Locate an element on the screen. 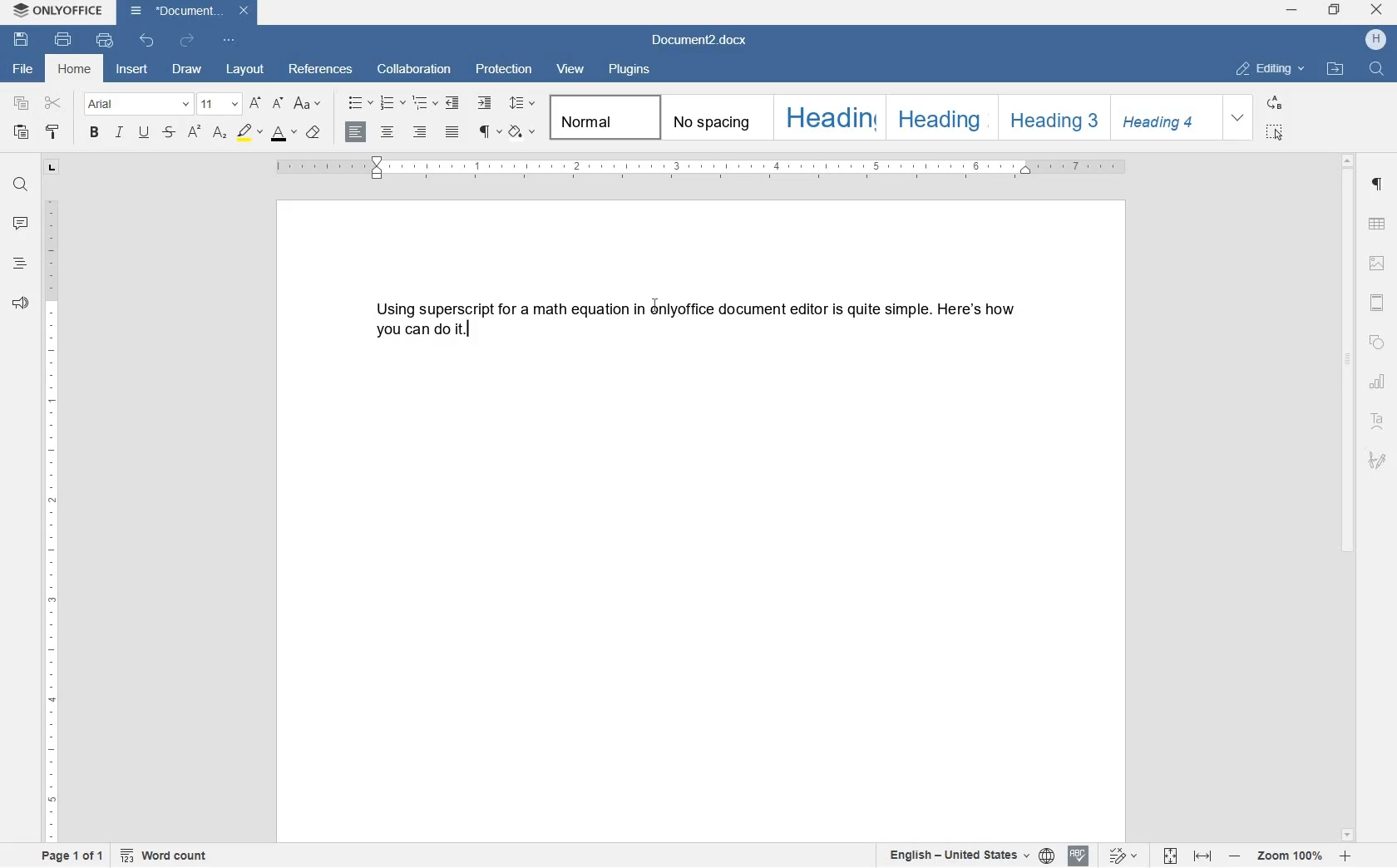 The height and width of the screenshot is (868, 1397). font color is located at coordinates (284, 134).